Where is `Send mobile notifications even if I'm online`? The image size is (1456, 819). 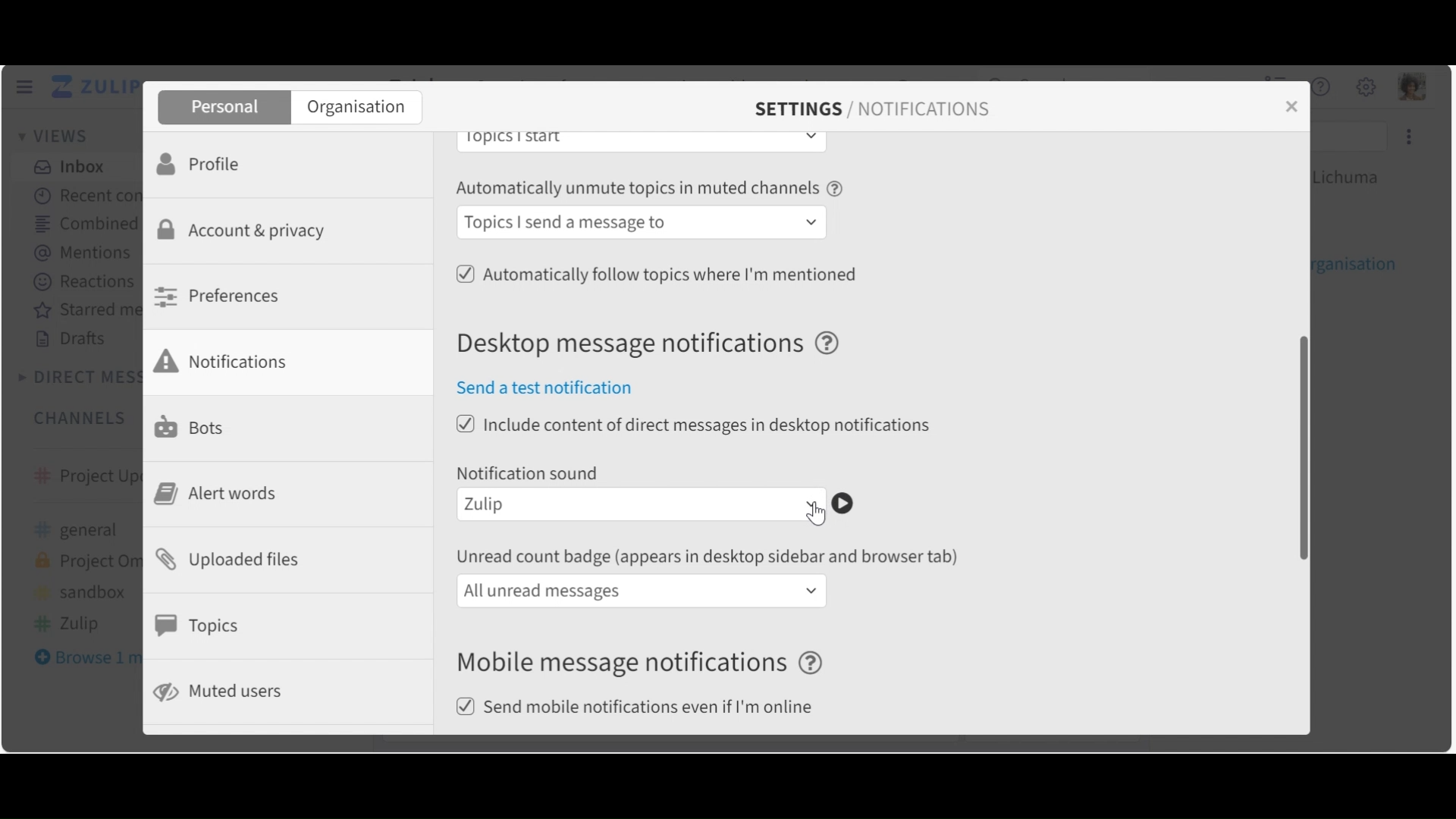 Send mobile notifications even if I'm online is located at coordinates (641, 708).